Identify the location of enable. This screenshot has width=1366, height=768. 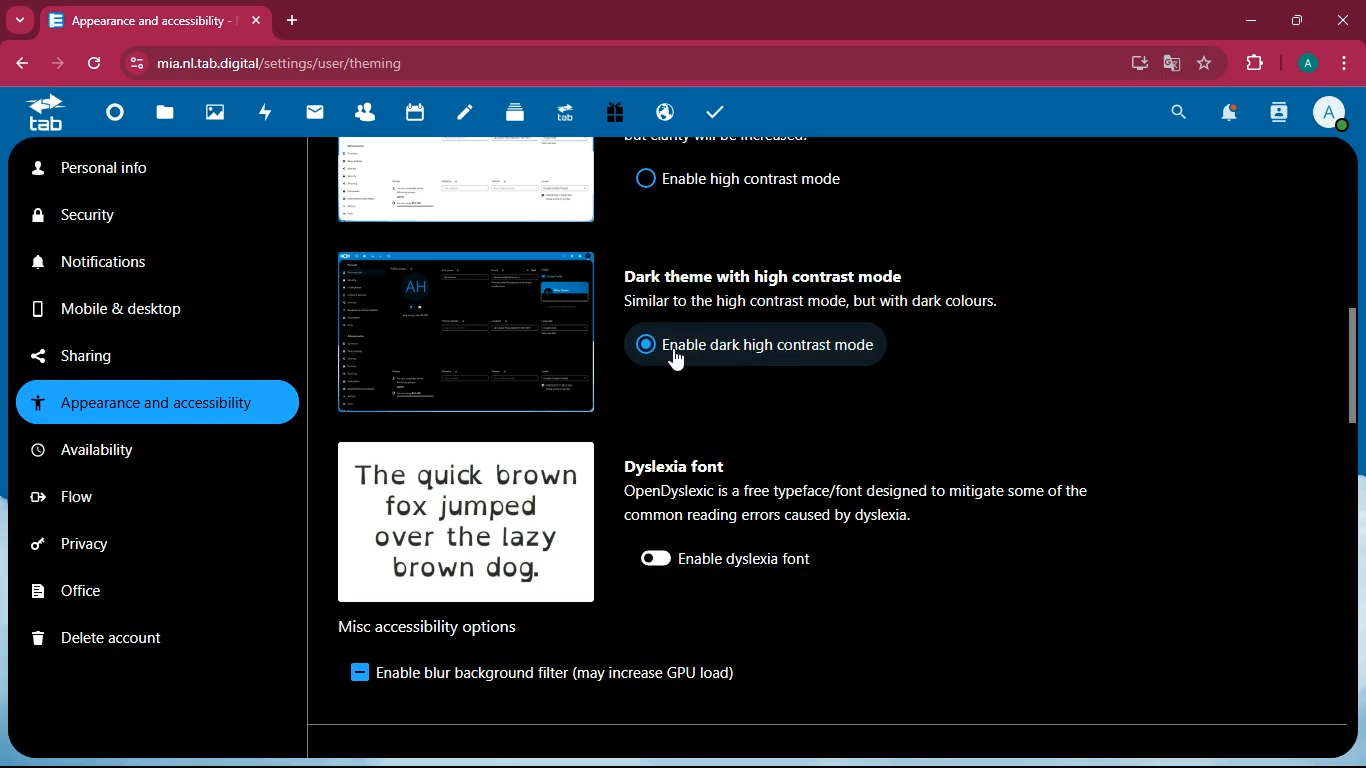
(773, 343).